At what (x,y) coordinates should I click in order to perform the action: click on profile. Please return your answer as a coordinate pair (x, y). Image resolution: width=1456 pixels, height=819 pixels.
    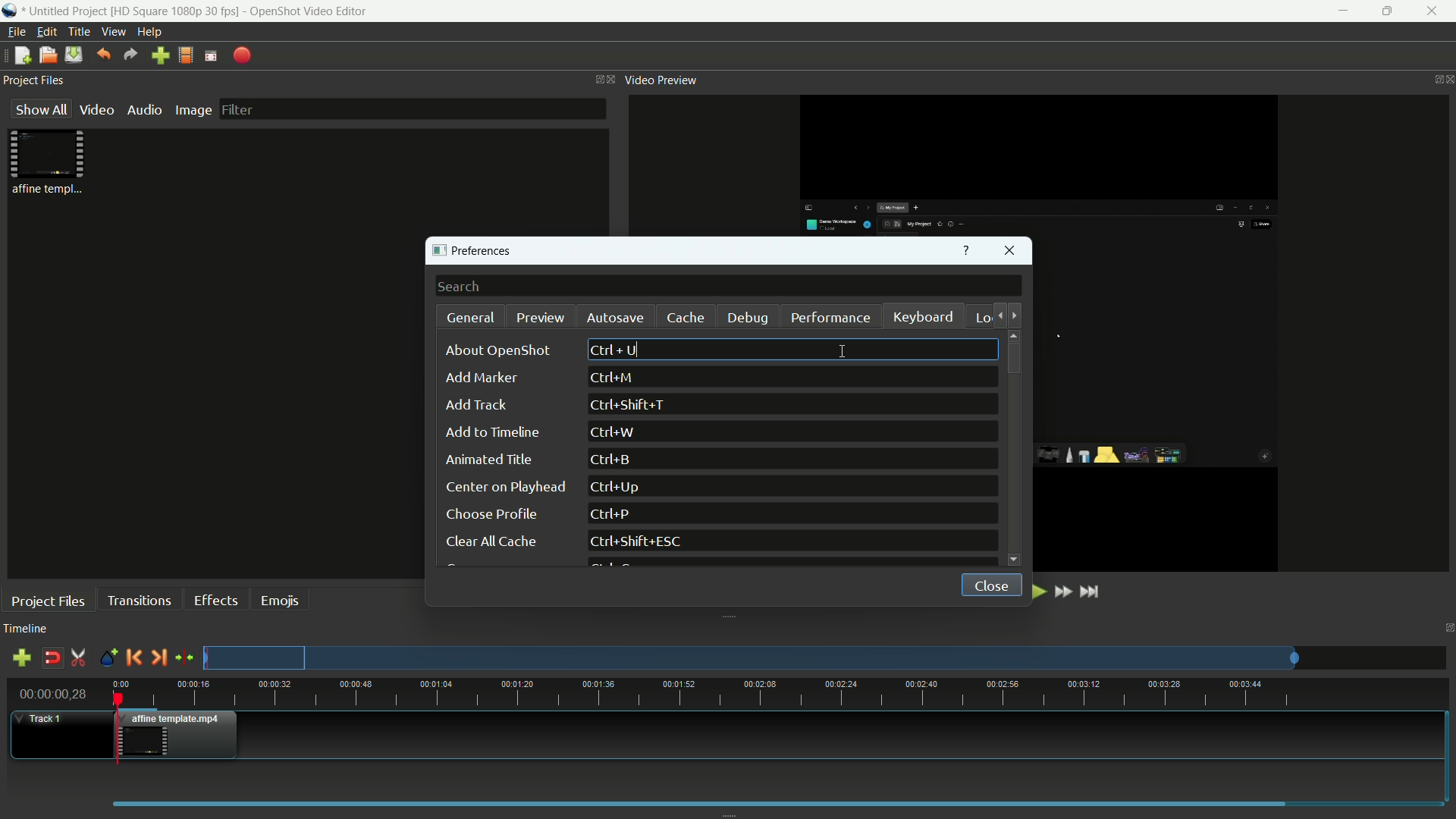
    Looking at the image, I should click on (177, 11).